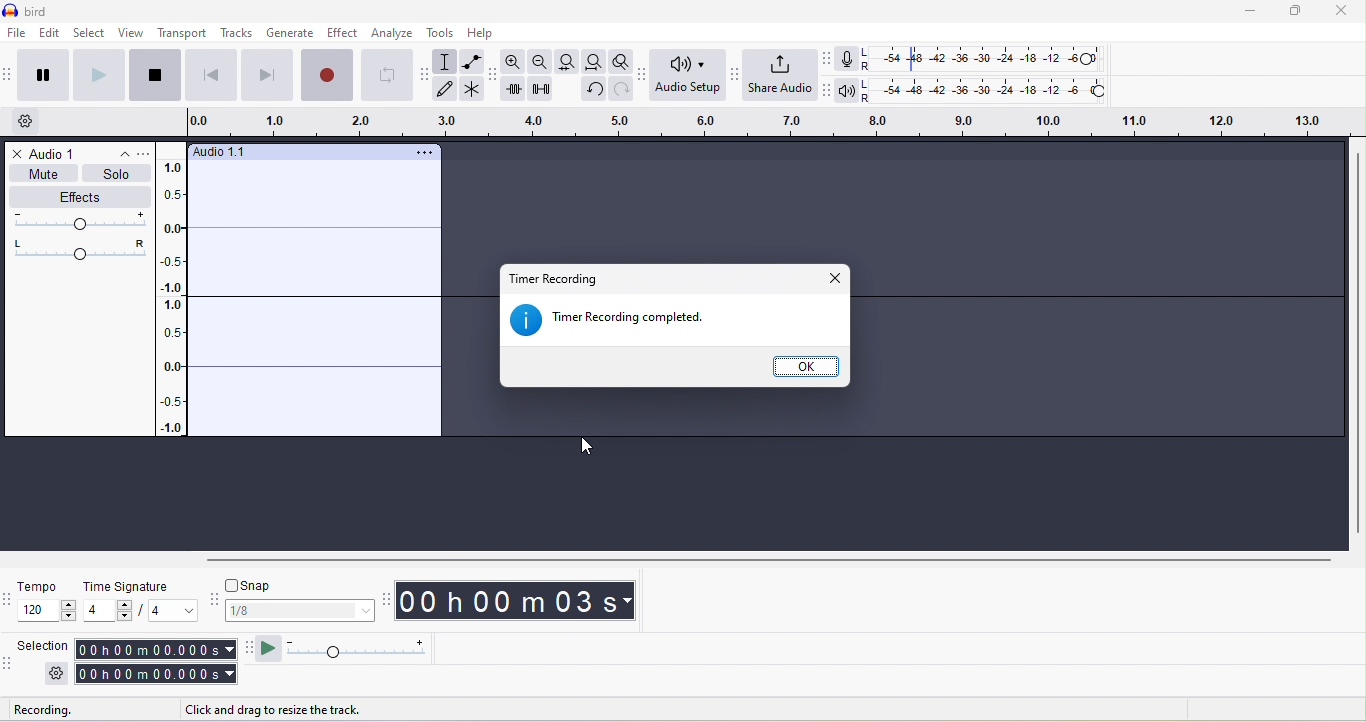  Describe the element at coordinates (423, 151) in the screenshot. I see `options` at that location.